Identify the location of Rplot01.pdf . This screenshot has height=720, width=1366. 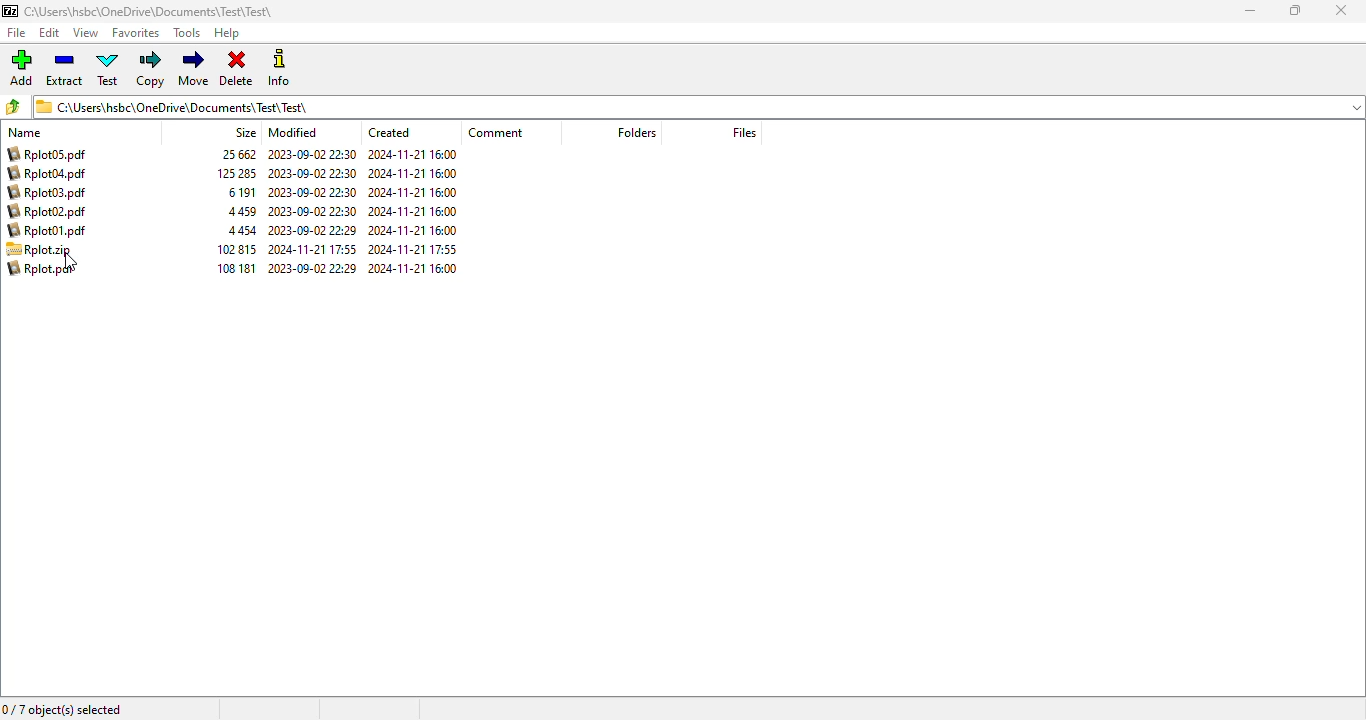
(46, 231).